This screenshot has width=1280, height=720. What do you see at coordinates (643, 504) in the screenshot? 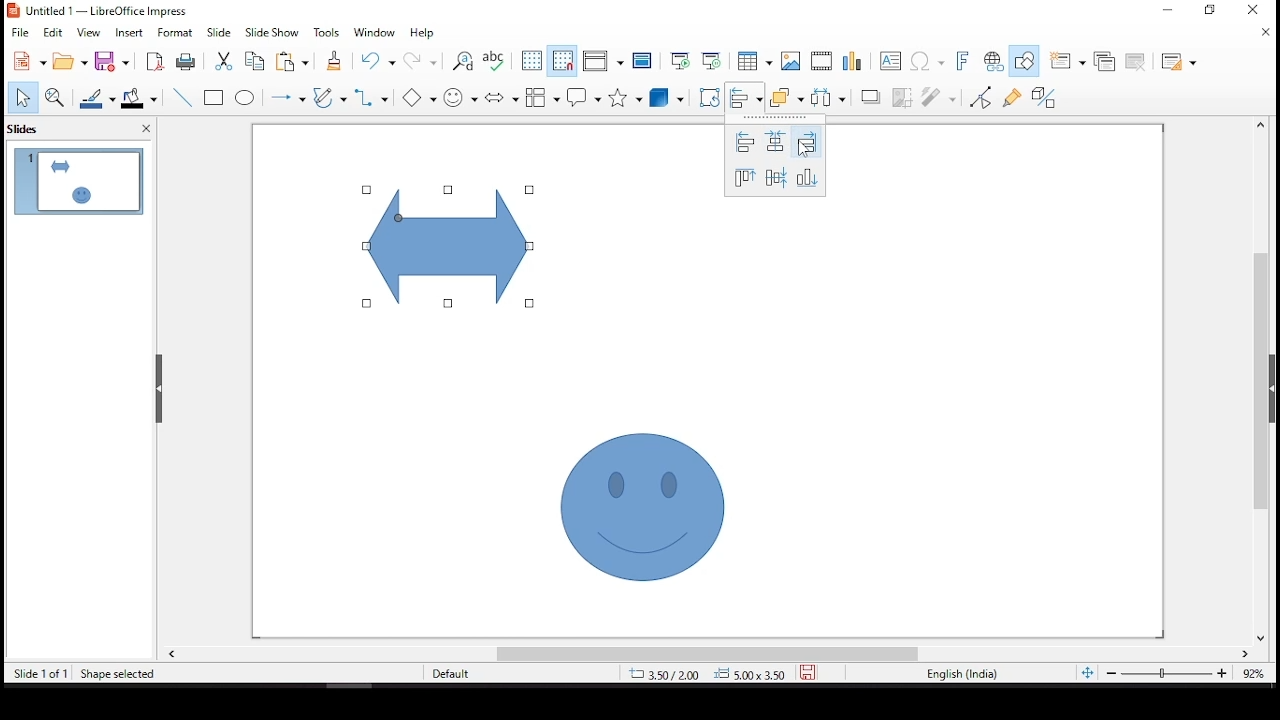
I see `shape` at bounding box center [643, 504].